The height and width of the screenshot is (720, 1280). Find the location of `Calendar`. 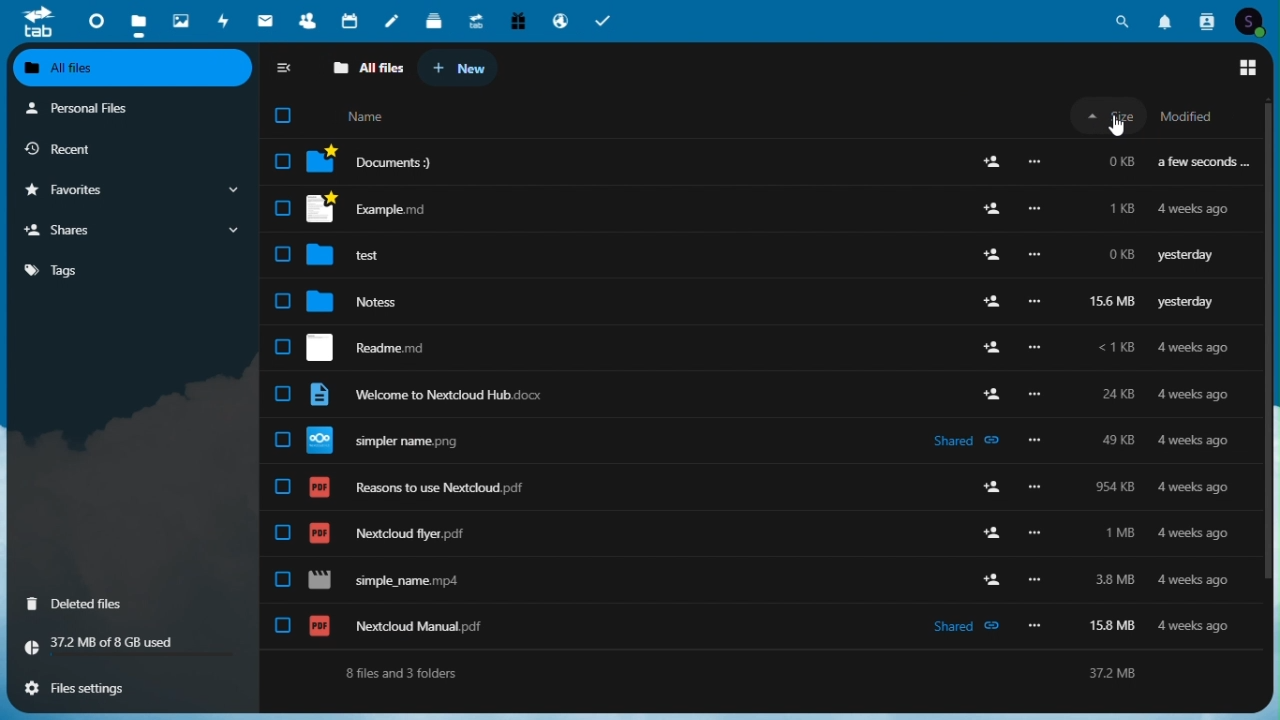

Calendar is located at coordinates (353, 21).